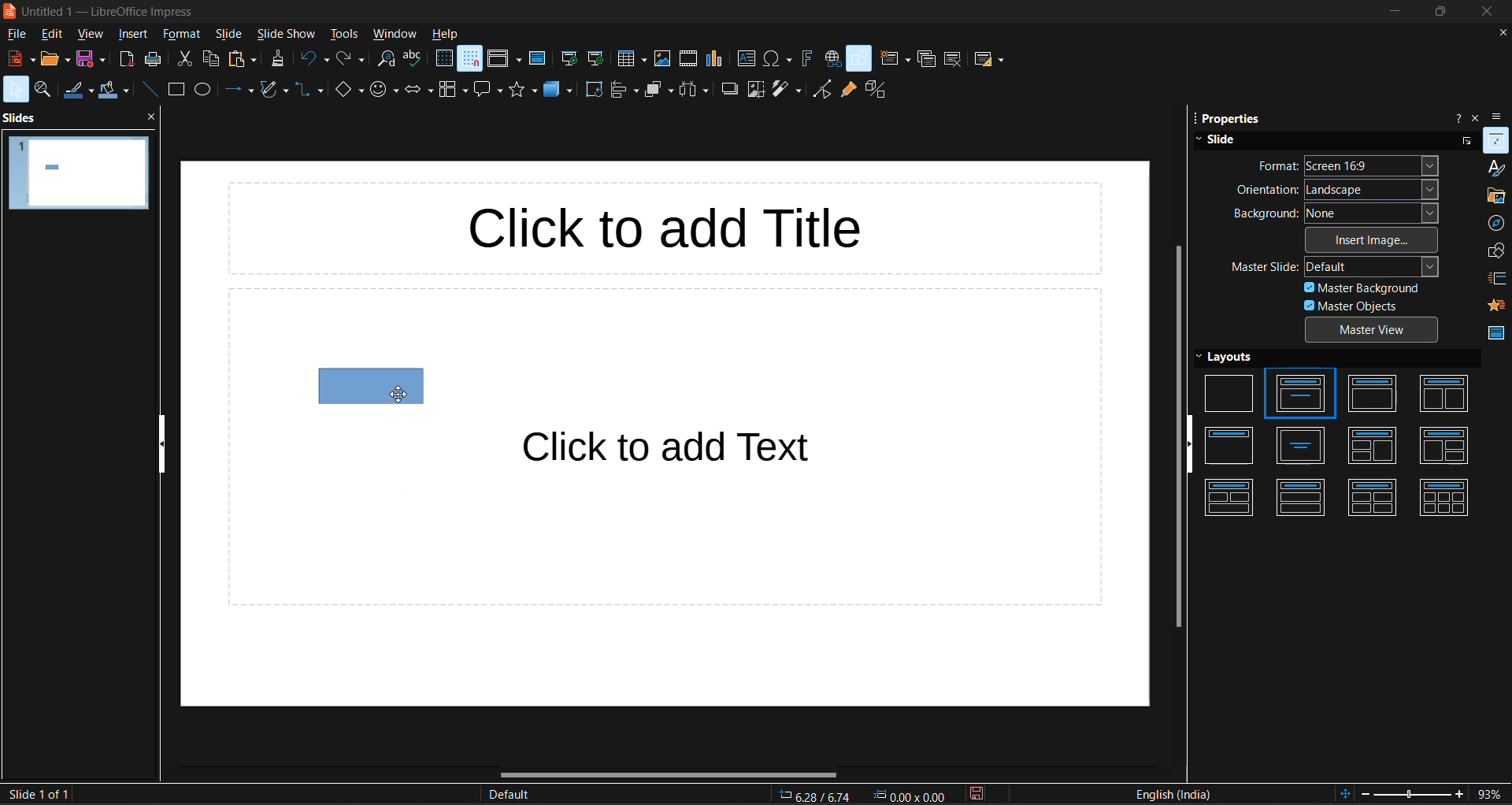  What do you see at coordinates (624, 90) in the screenshot?
I see `align objects` at bounding box center [624, 90].